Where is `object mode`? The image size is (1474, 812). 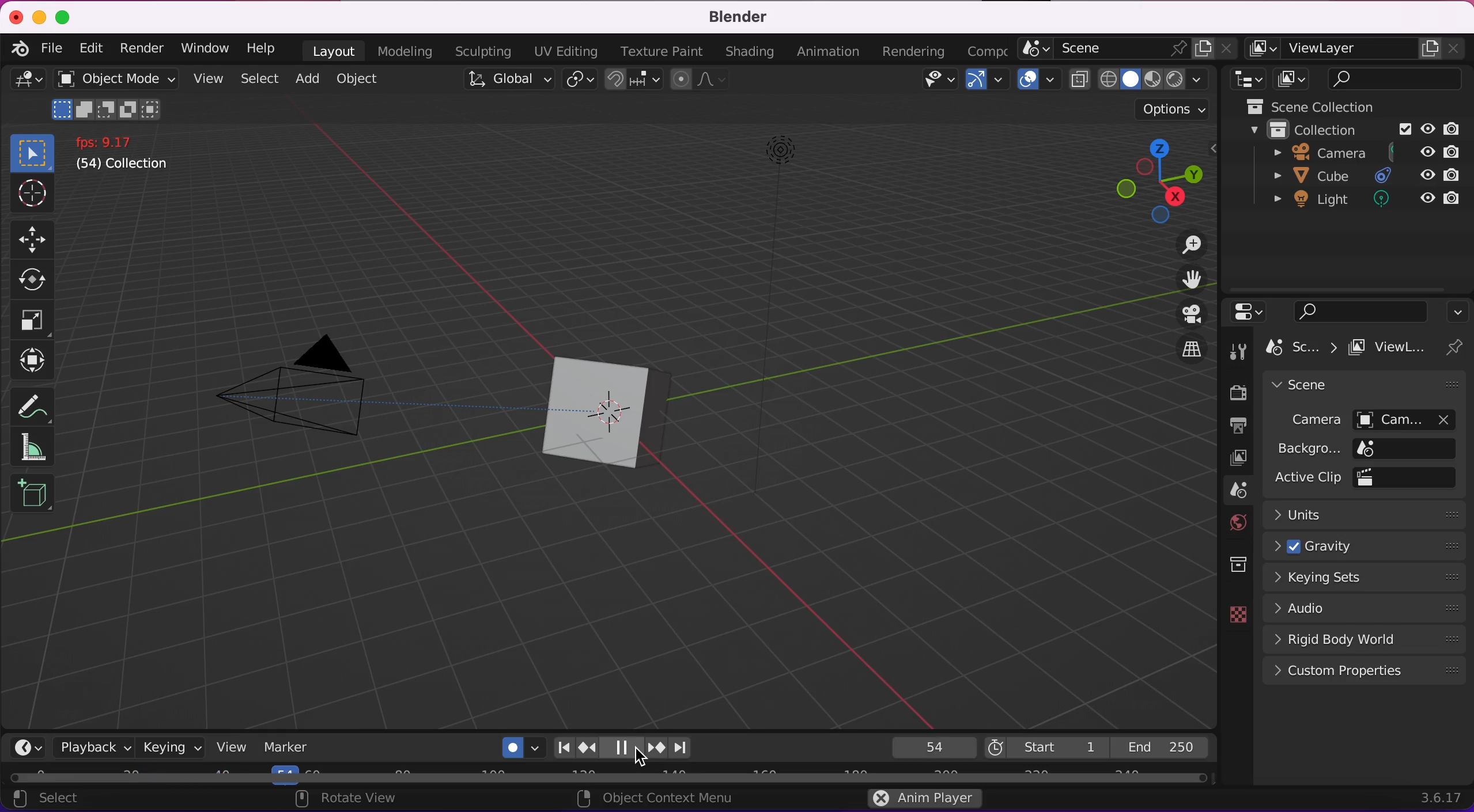
object mode is located at coordinates (112, 96).